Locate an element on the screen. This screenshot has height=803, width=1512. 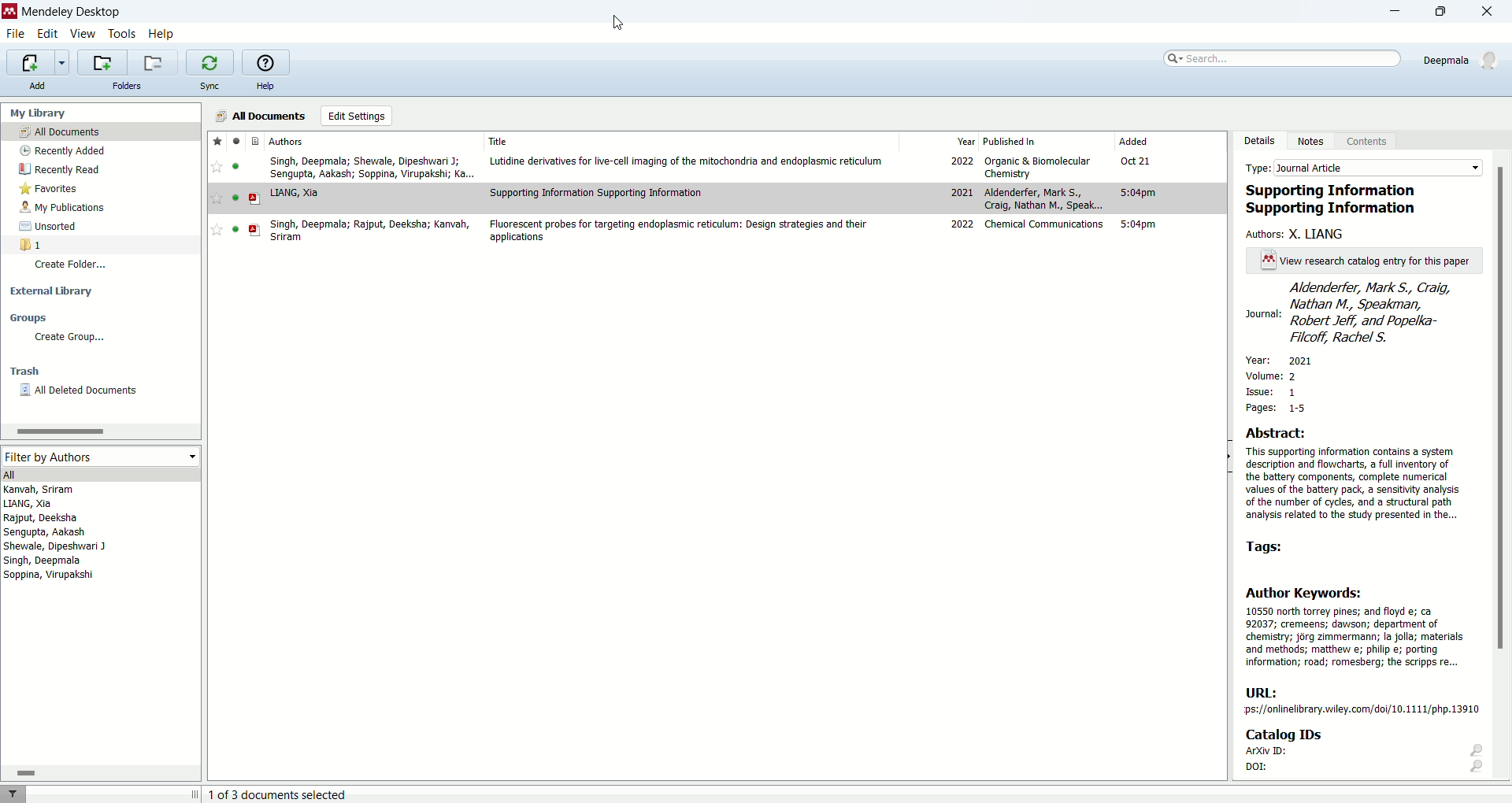
favorites is located at coordinates (54, 189).